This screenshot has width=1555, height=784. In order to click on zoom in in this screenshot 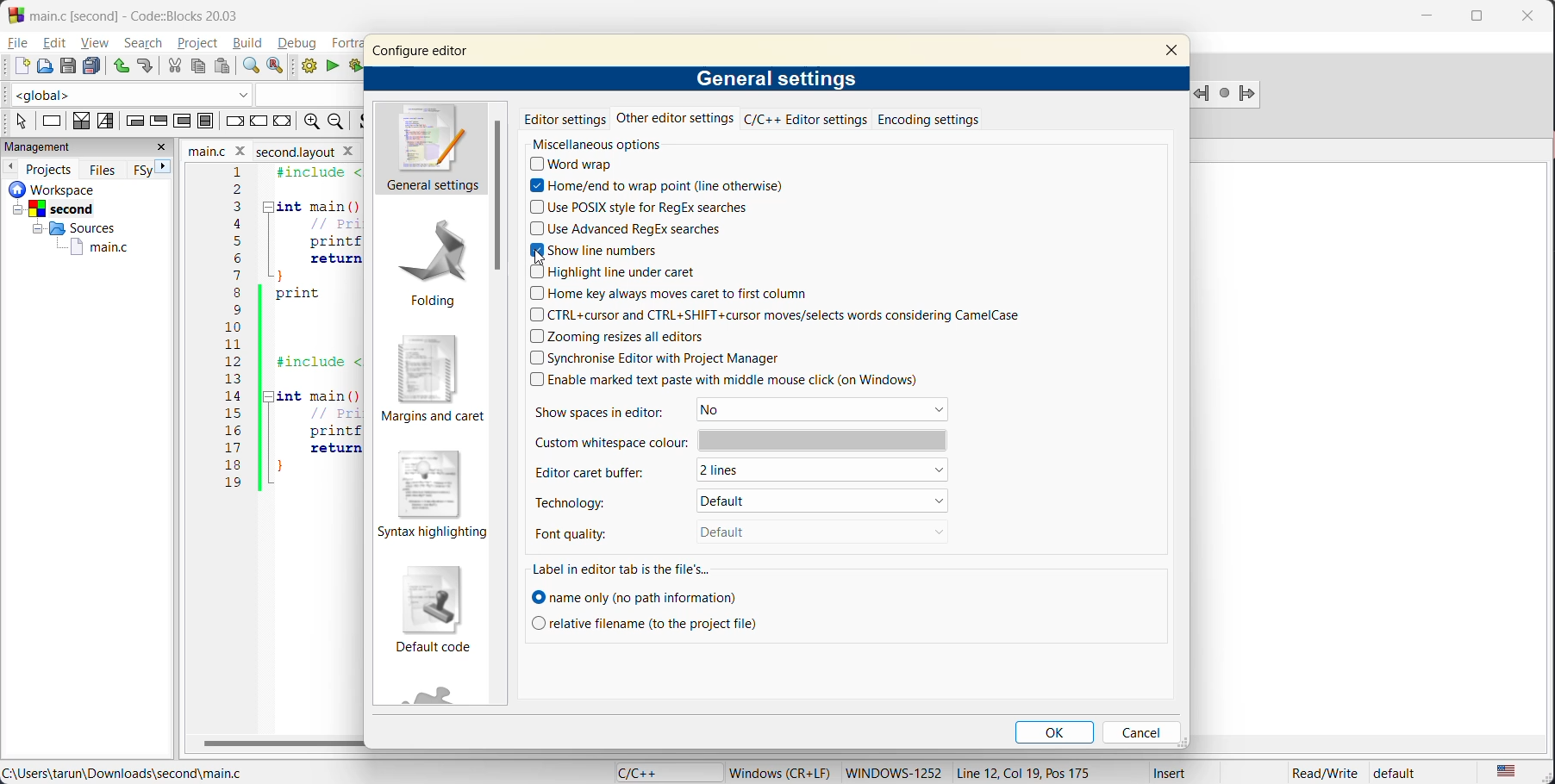, I will do `click(311, 122)`.